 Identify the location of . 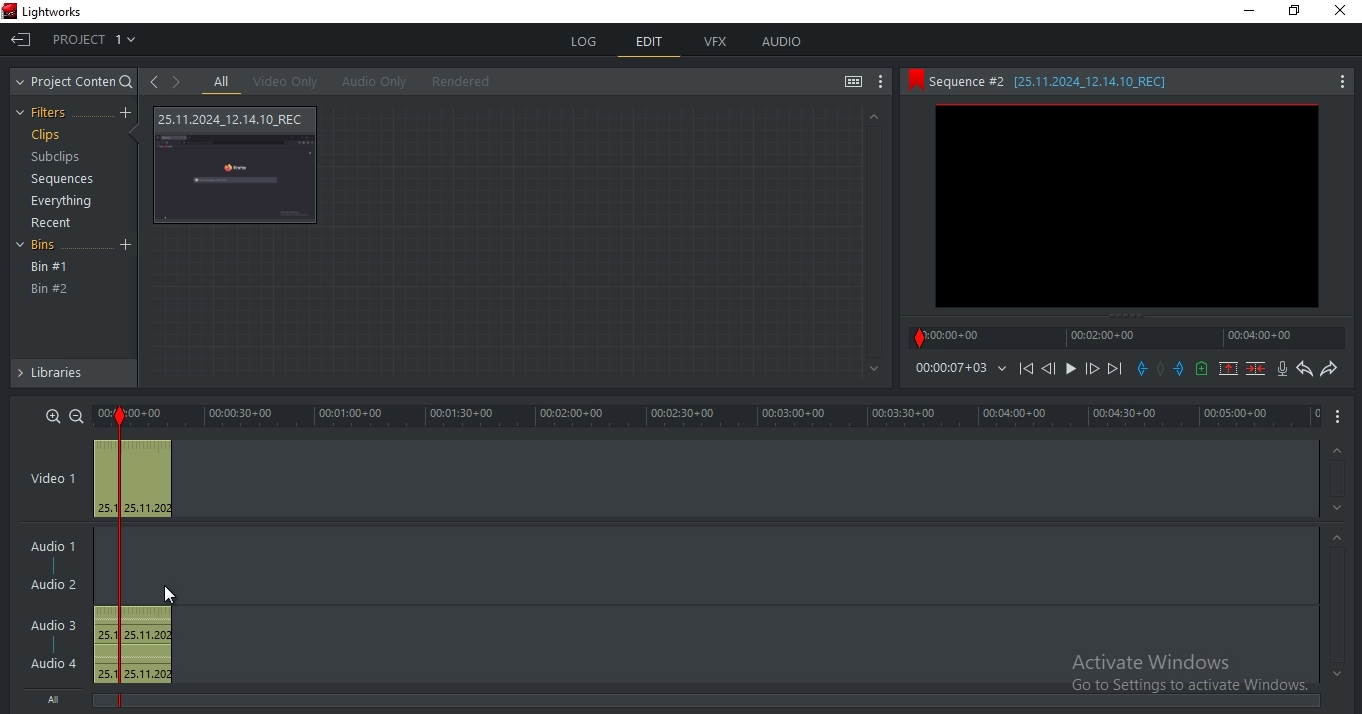
(855, 80).